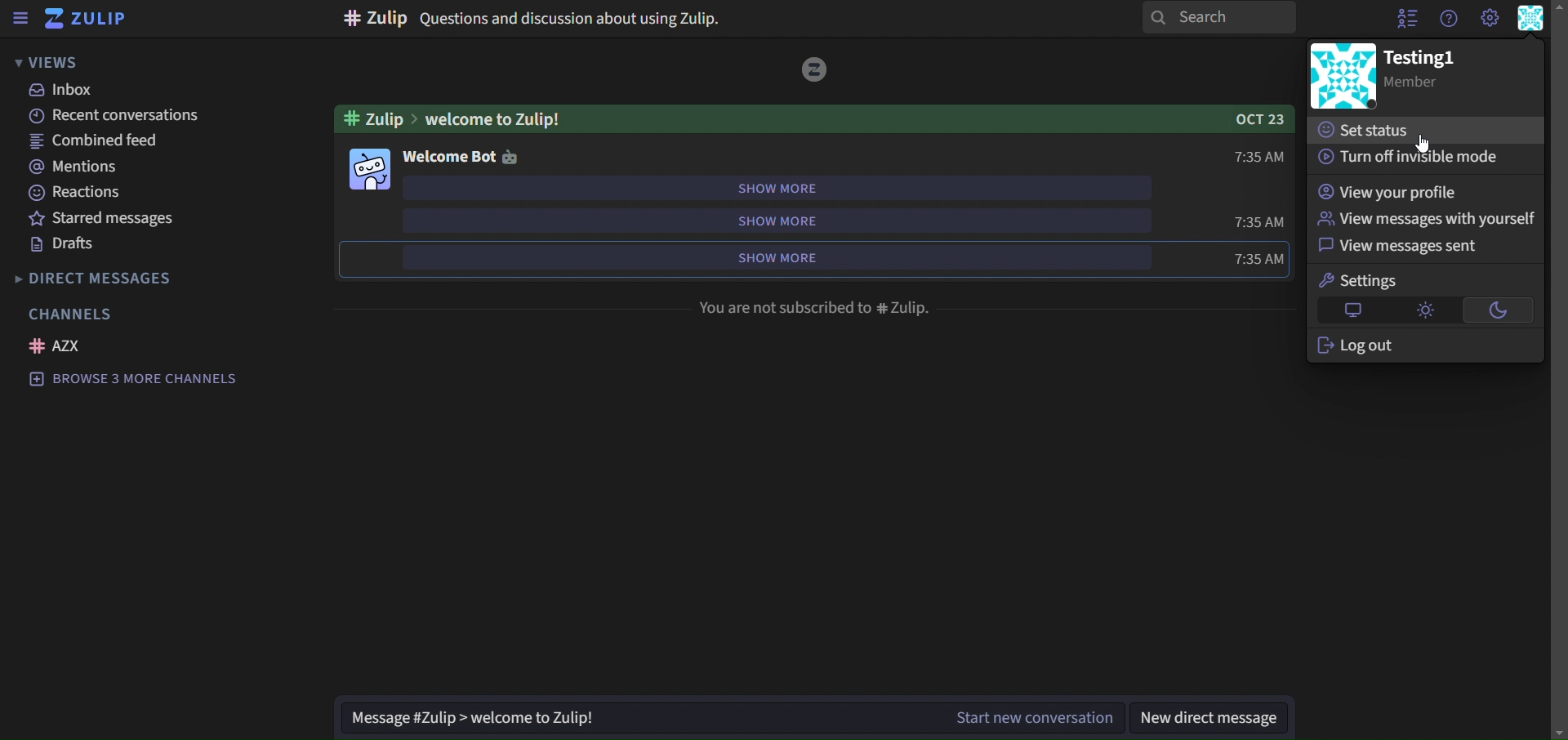  What do you see at coordinates (1450, 19) in the screenshot?
I see `get help` at bounding box center [1450, 19].